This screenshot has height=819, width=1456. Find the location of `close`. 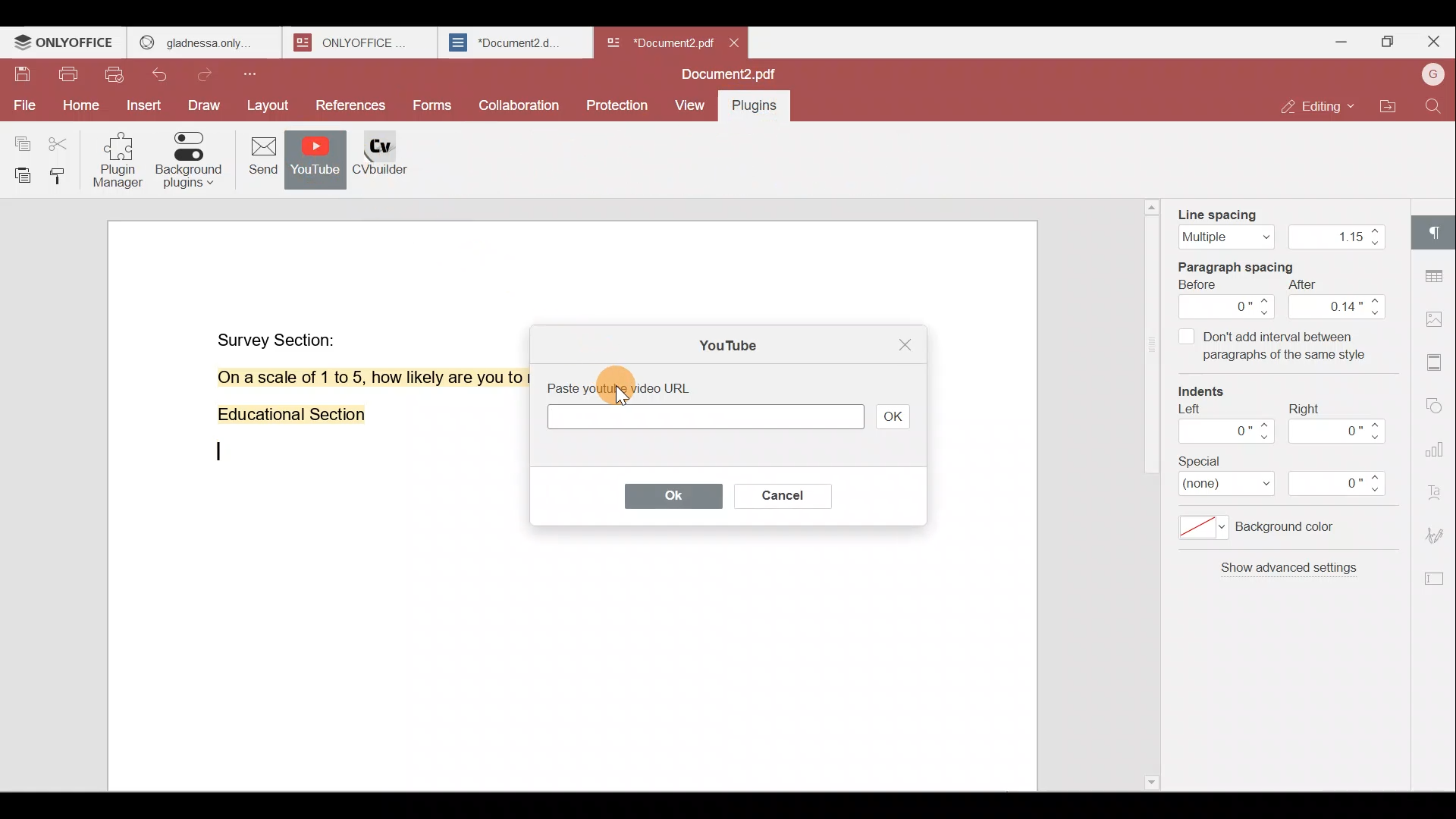

close is located at coordinates (734, 42).